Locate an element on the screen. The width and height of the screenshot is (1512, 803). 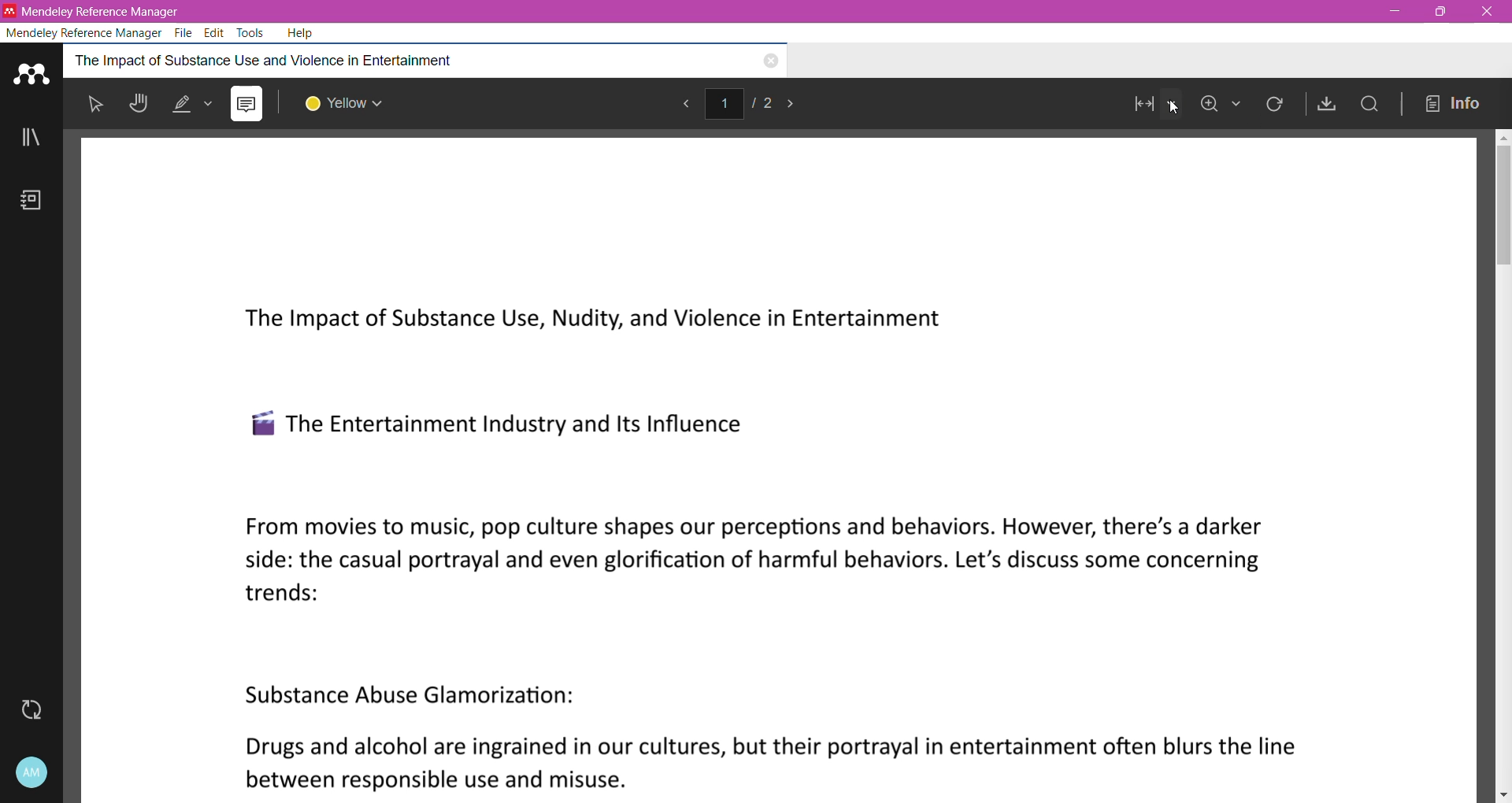
Restore Down is located at coordinates (1441, 11).